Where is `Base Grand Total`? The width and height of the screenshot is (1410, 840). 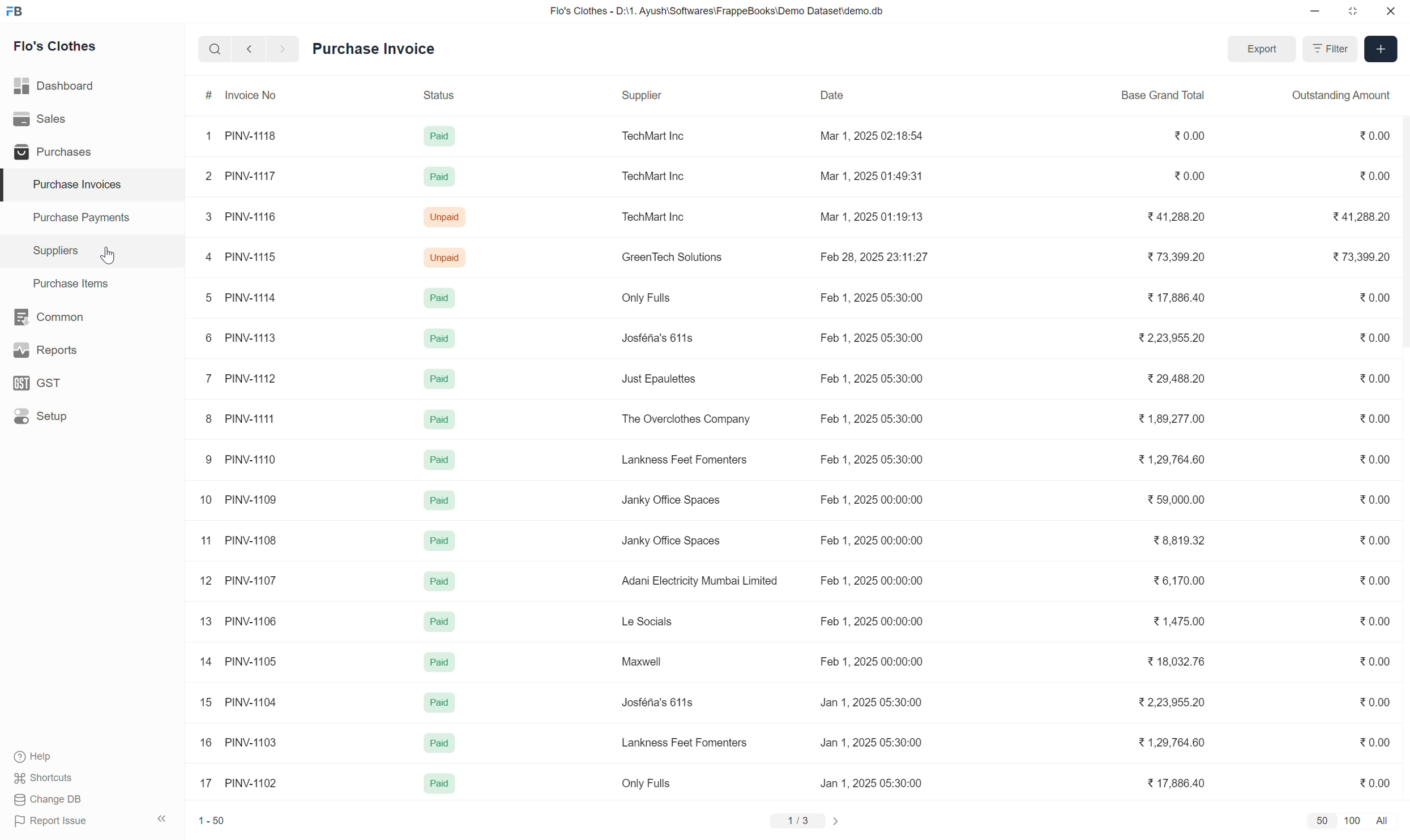
Base Grand Total is located at coordinates (1167, 91).